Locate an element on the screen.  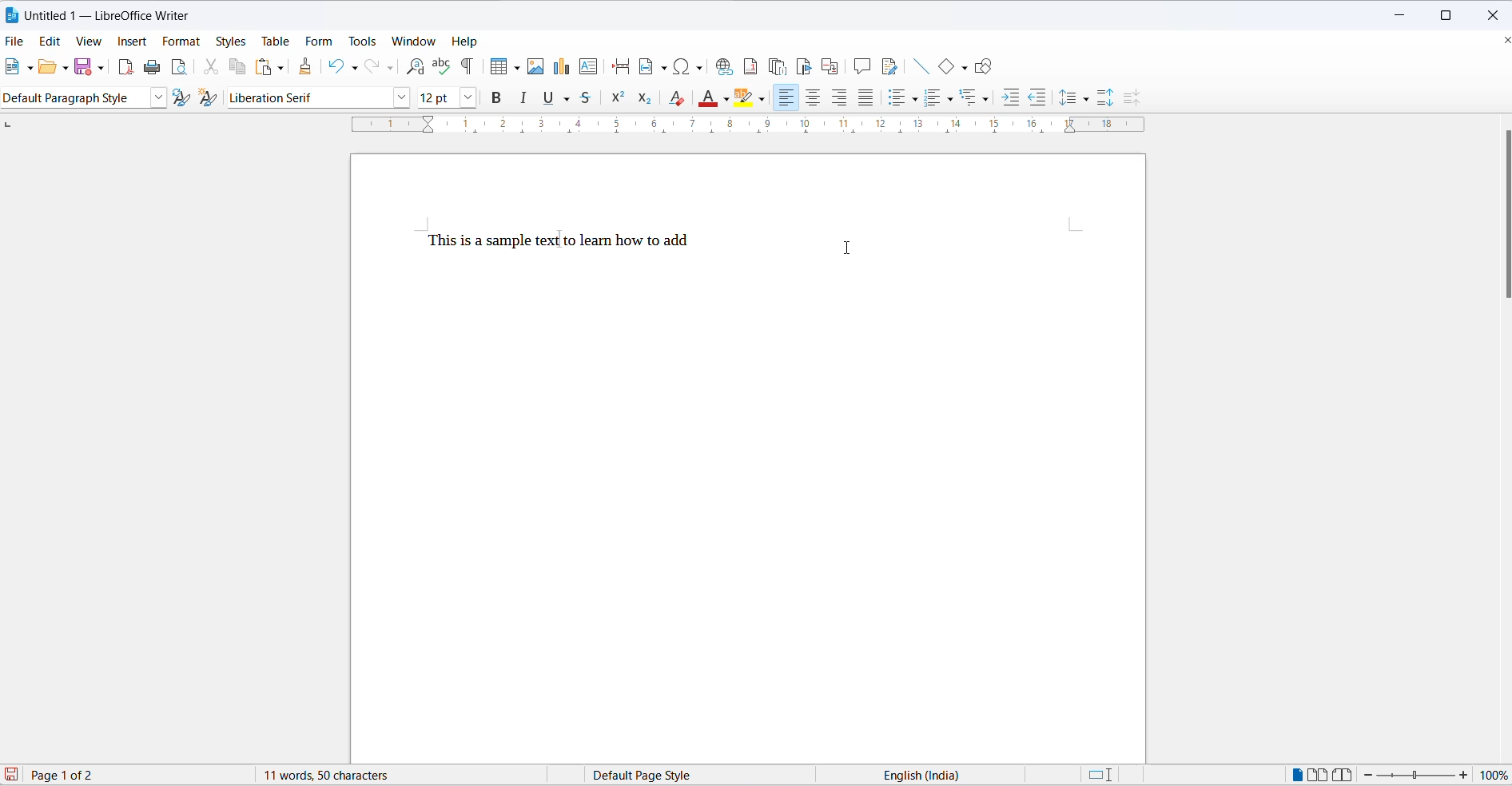
insert comment is located at coordinates (861, 66).